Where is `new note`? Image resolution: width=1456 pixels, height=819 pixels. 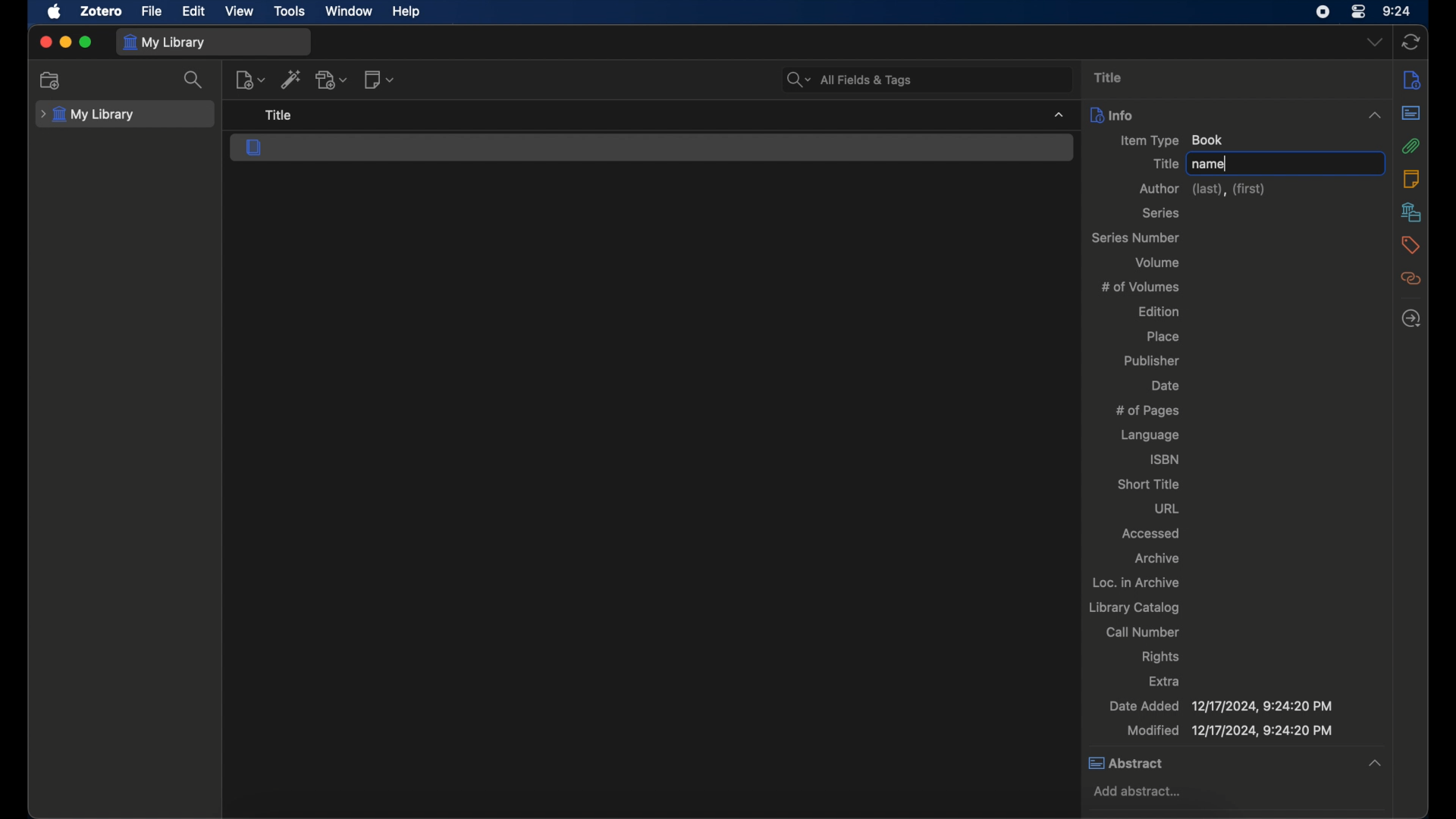 new note is located at coordinates (378, 79).